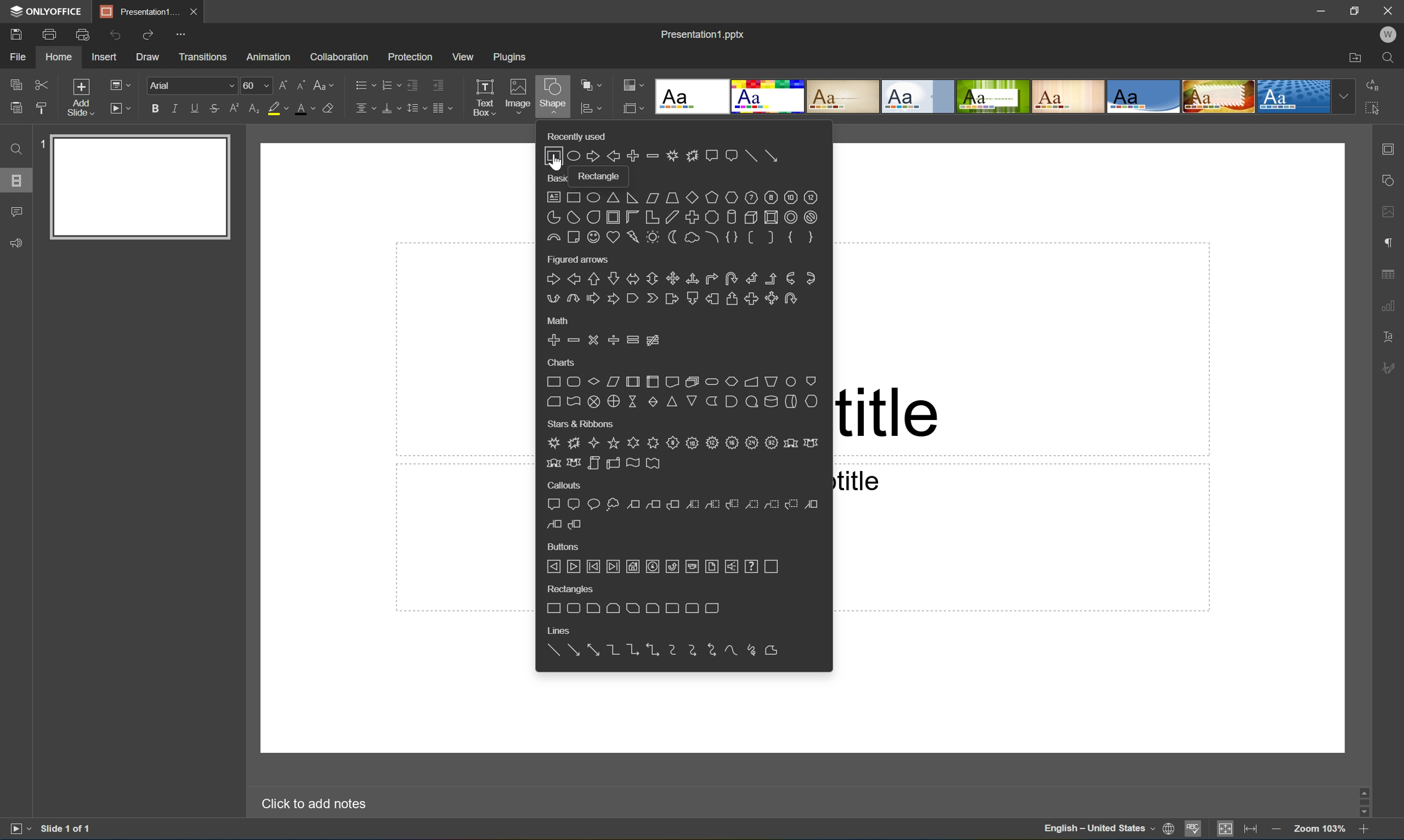  What do you see at coordinates (1388, 32) in the screenshot?
I see `W` at bounding box center [1388, 32].